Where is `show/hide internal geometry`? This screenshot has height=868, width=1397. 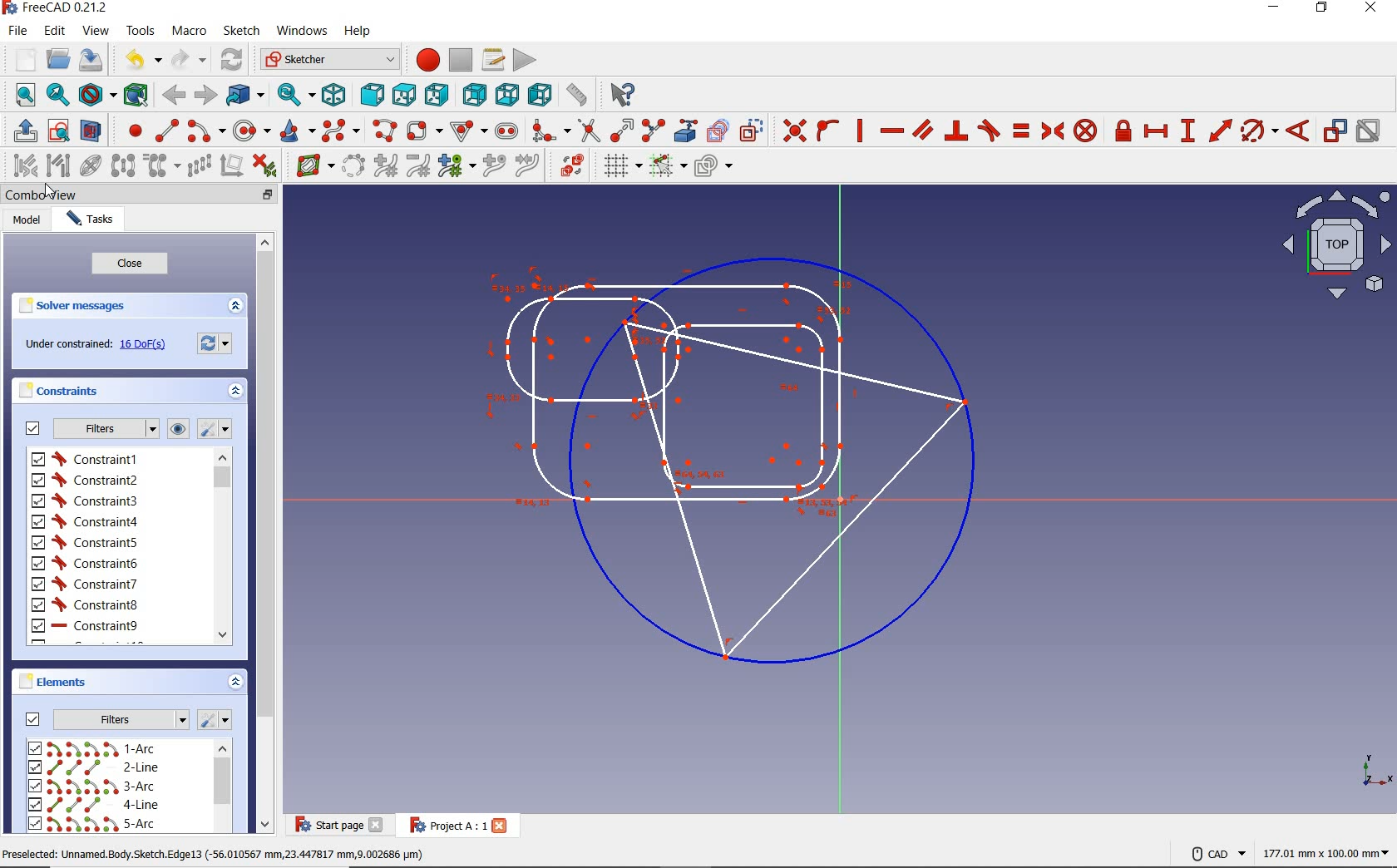
show/hide internal geometry is located at coordinates (91, 165).